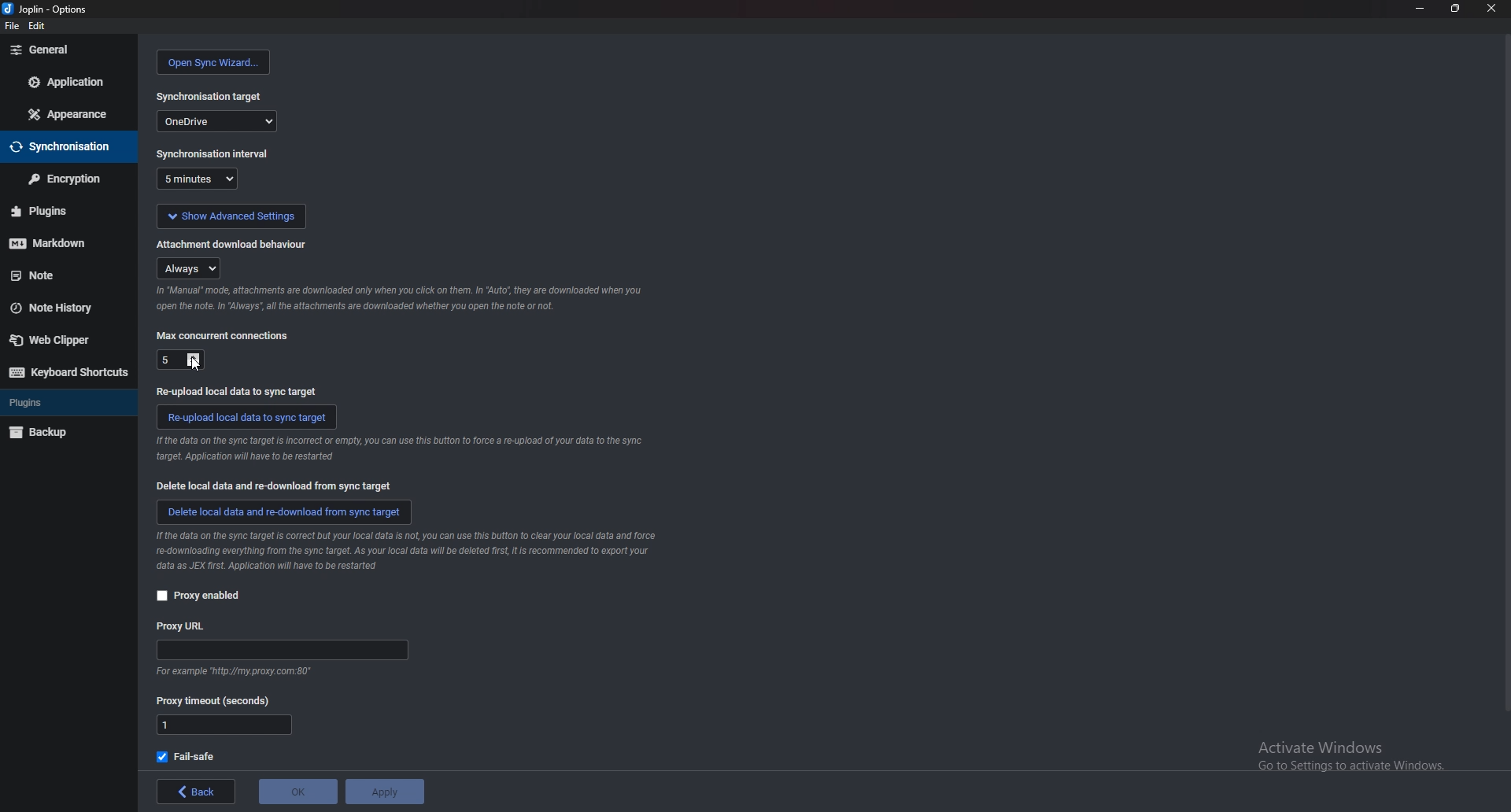 The height and width of the screenshot is (812, 1511). What do you see at coordinates (217, 121) in the screenshot?
I see `one drive` at bounding box center [217, 121].